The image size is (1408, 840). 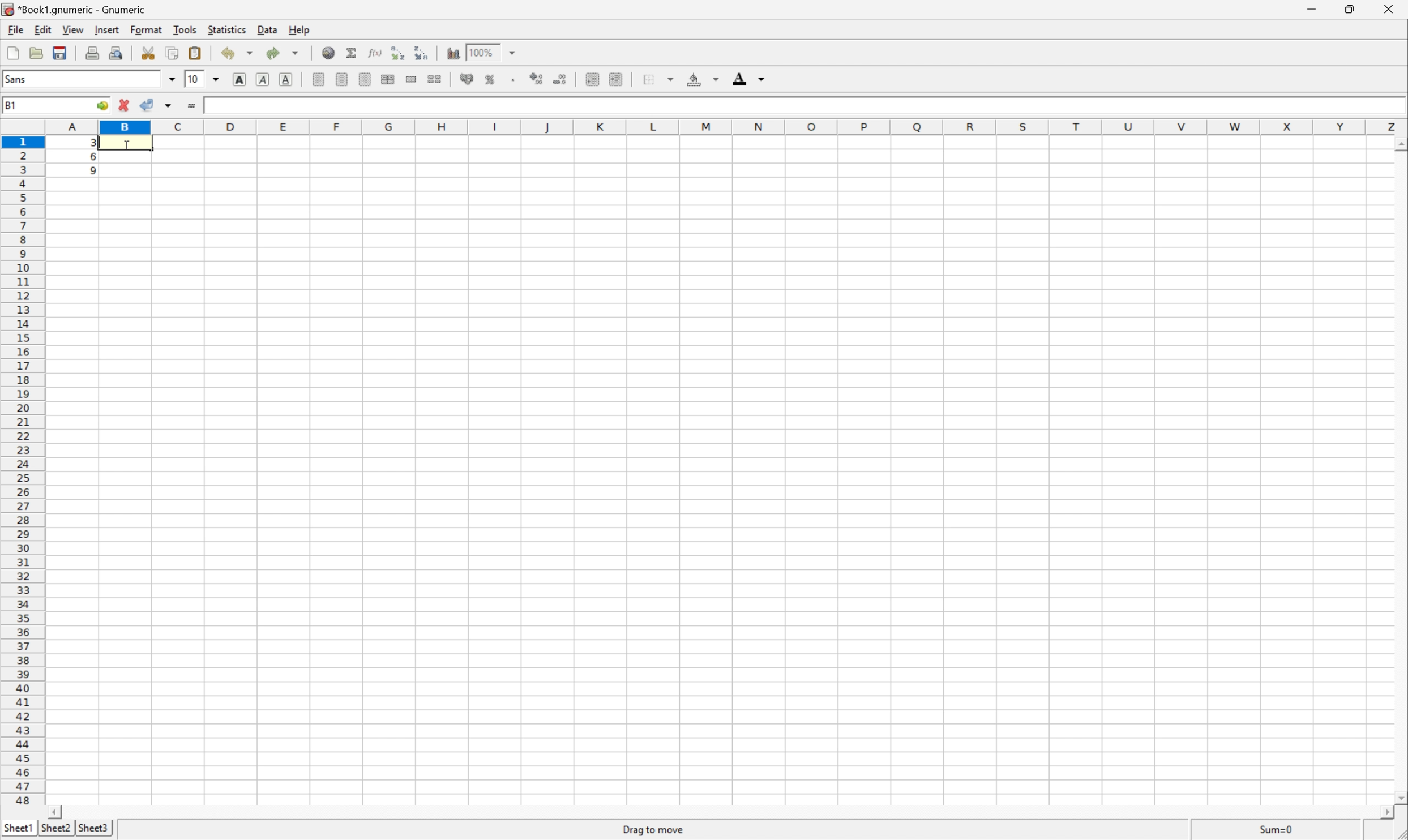 What do you see at coordinates (194, 53) in the screenshot?
I see `Paste a clipboard` at bounding box center [194, 53].